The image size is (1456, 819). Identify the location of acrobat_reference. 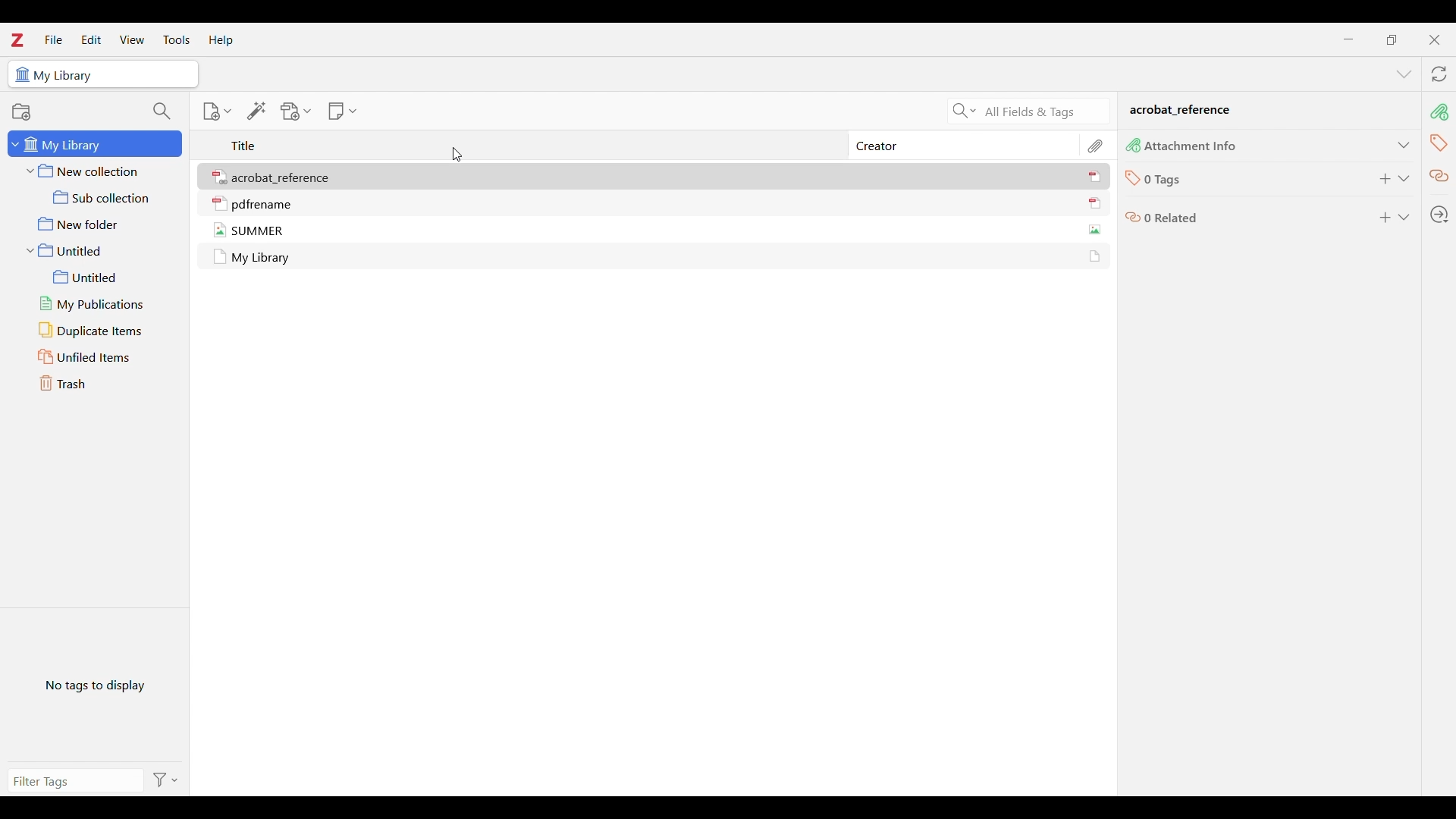
(284, 178).